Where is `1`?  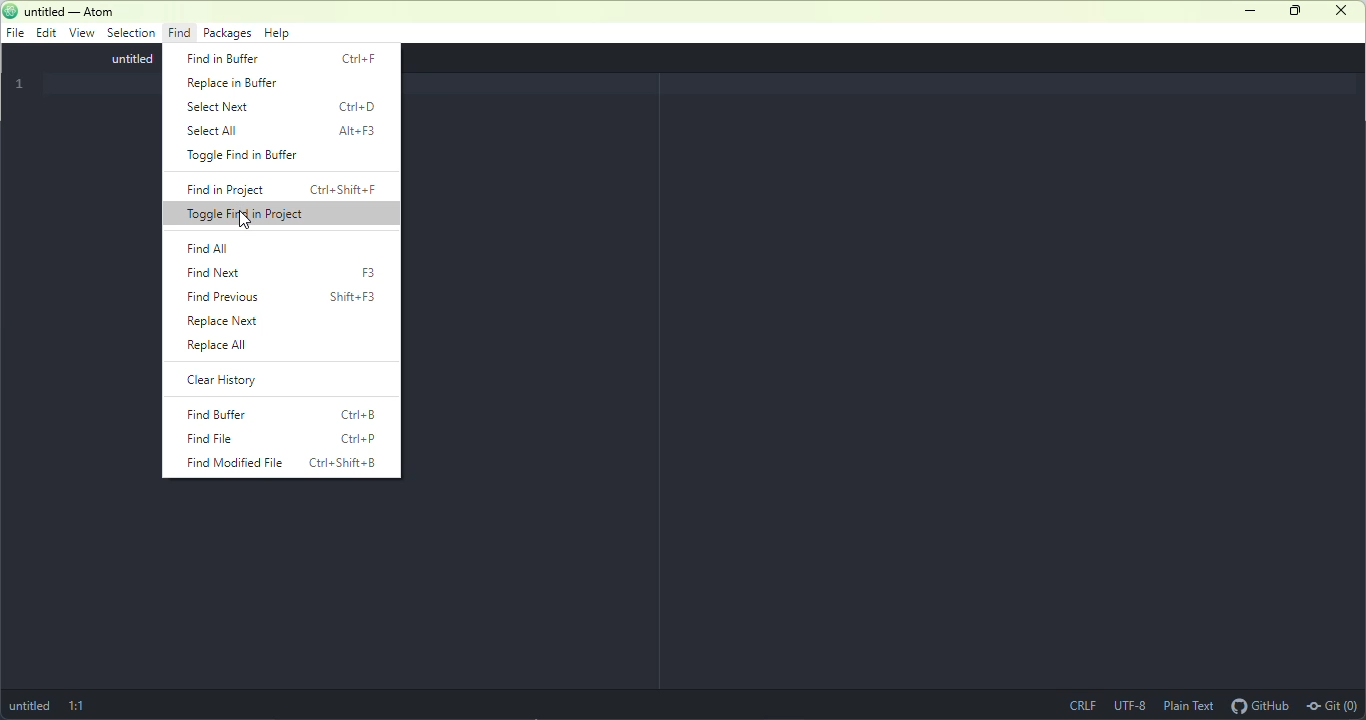
1 is located at coordinates (22, 83).